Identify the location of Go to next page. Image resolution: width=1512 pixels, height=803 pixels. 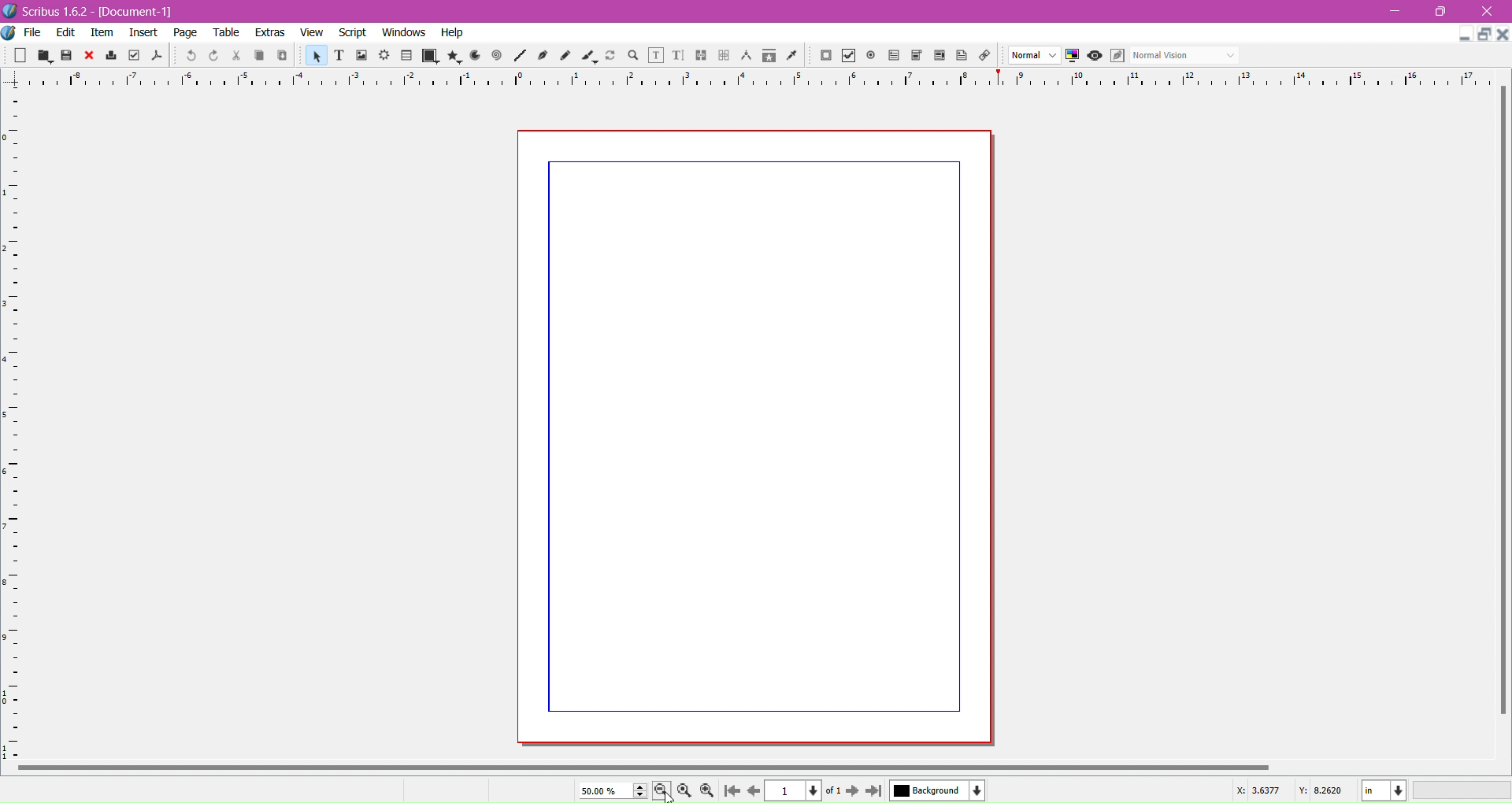
(853, 791).